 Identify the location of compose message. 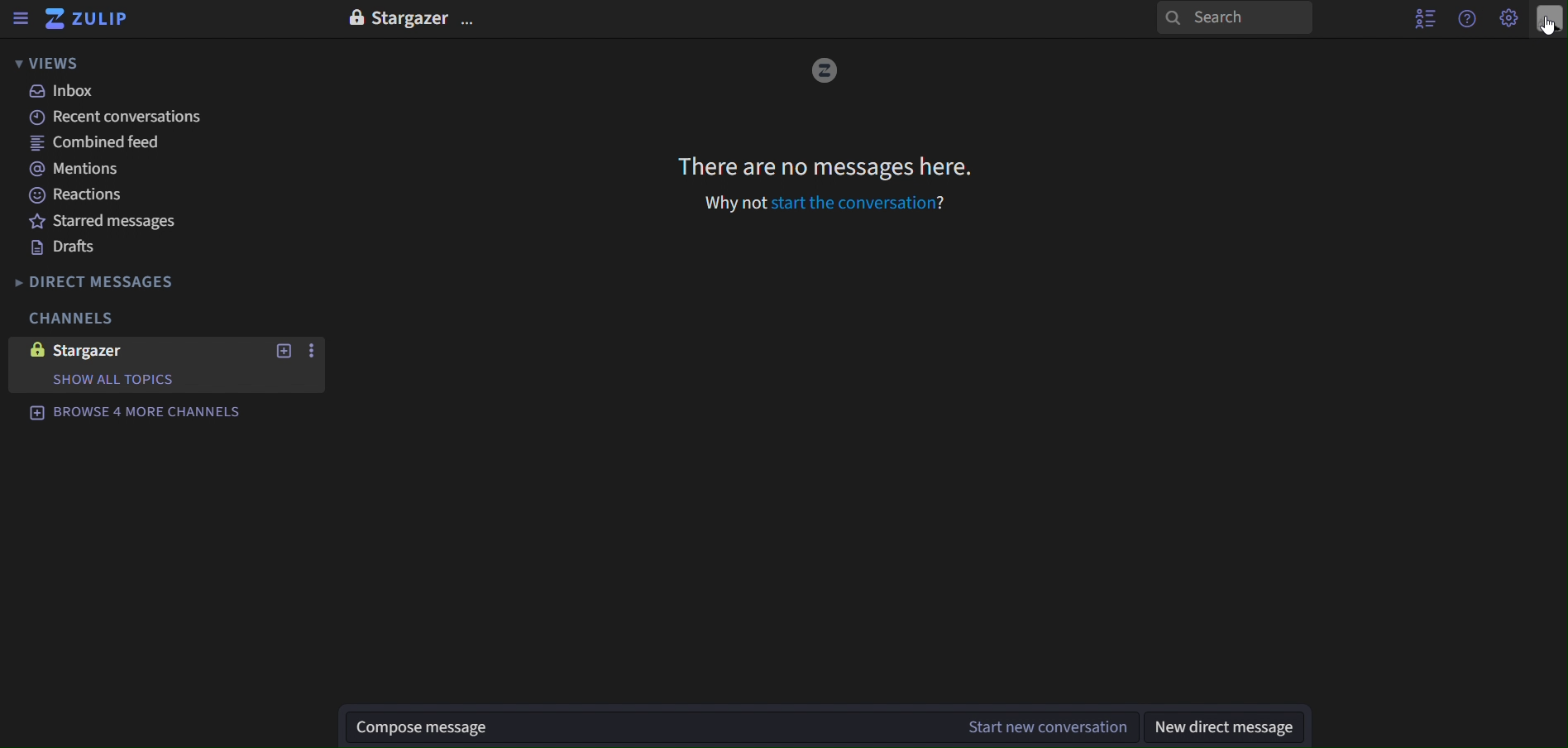
(426, 722).